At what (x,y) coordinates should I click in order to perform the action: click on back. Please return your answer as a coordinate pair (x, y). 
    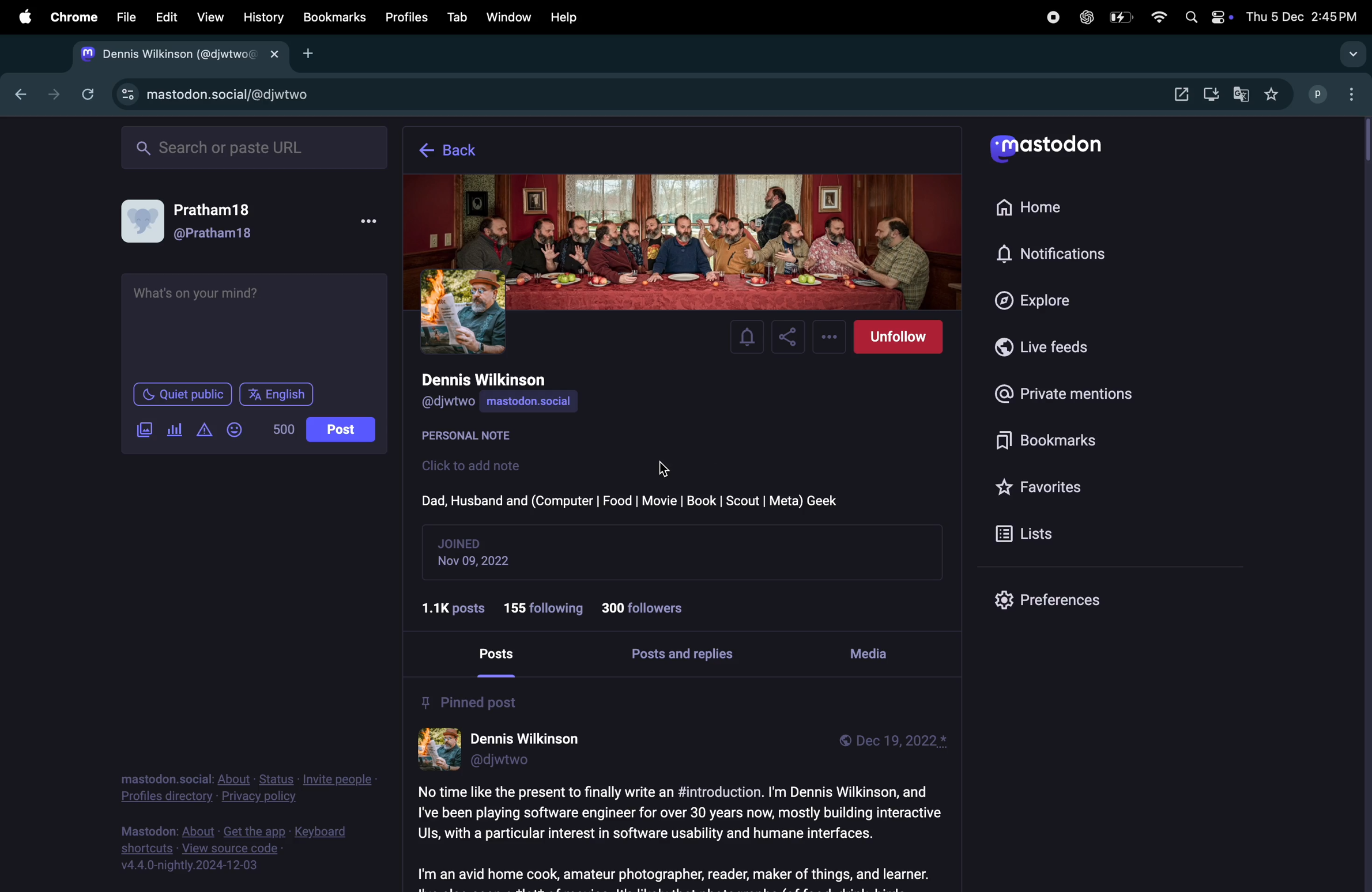
    Looking at the image, I should click on (24, 96).